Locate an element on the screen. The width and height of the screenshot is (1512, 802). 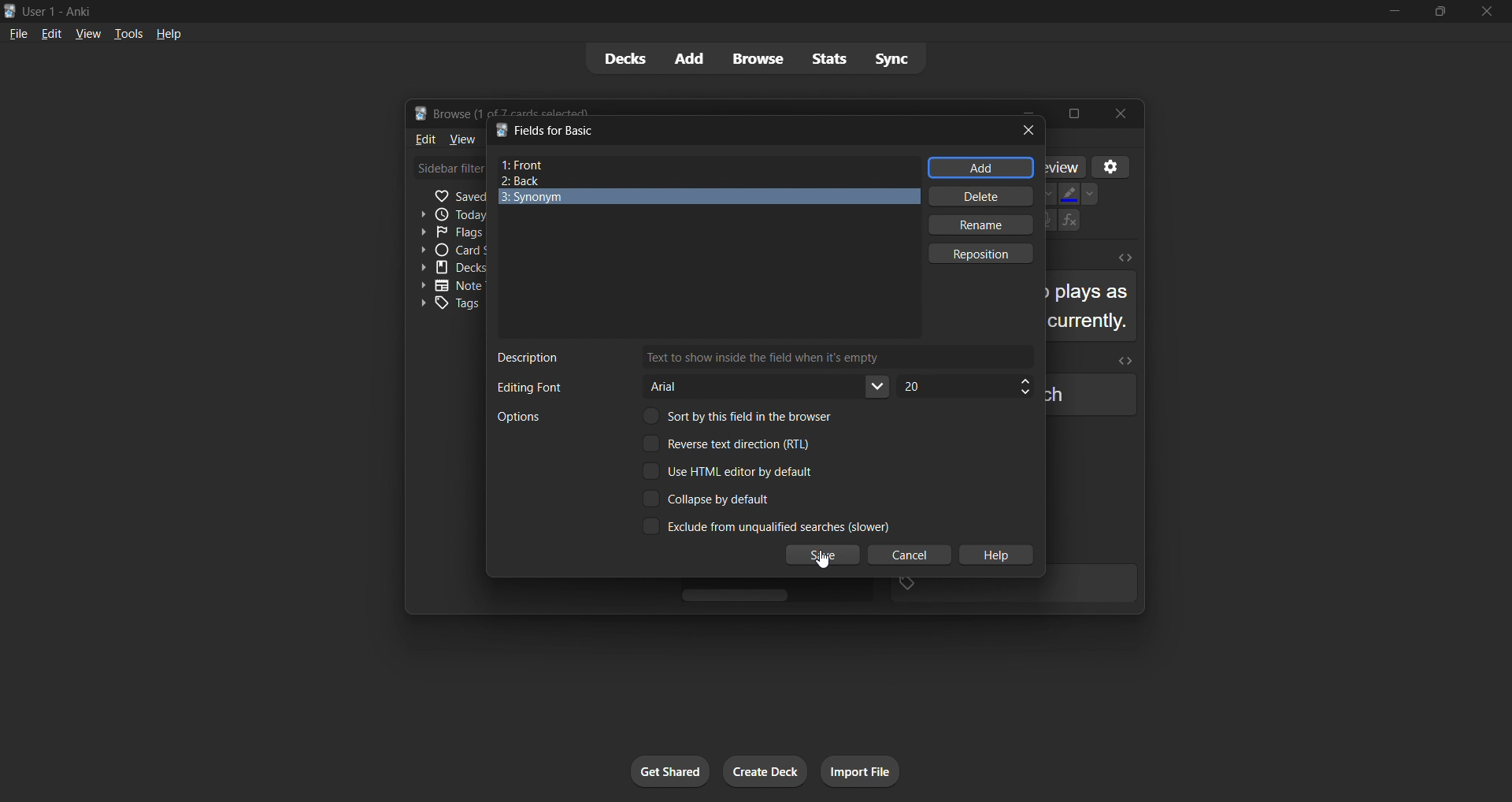
browse is located at coordinates (757, 60).